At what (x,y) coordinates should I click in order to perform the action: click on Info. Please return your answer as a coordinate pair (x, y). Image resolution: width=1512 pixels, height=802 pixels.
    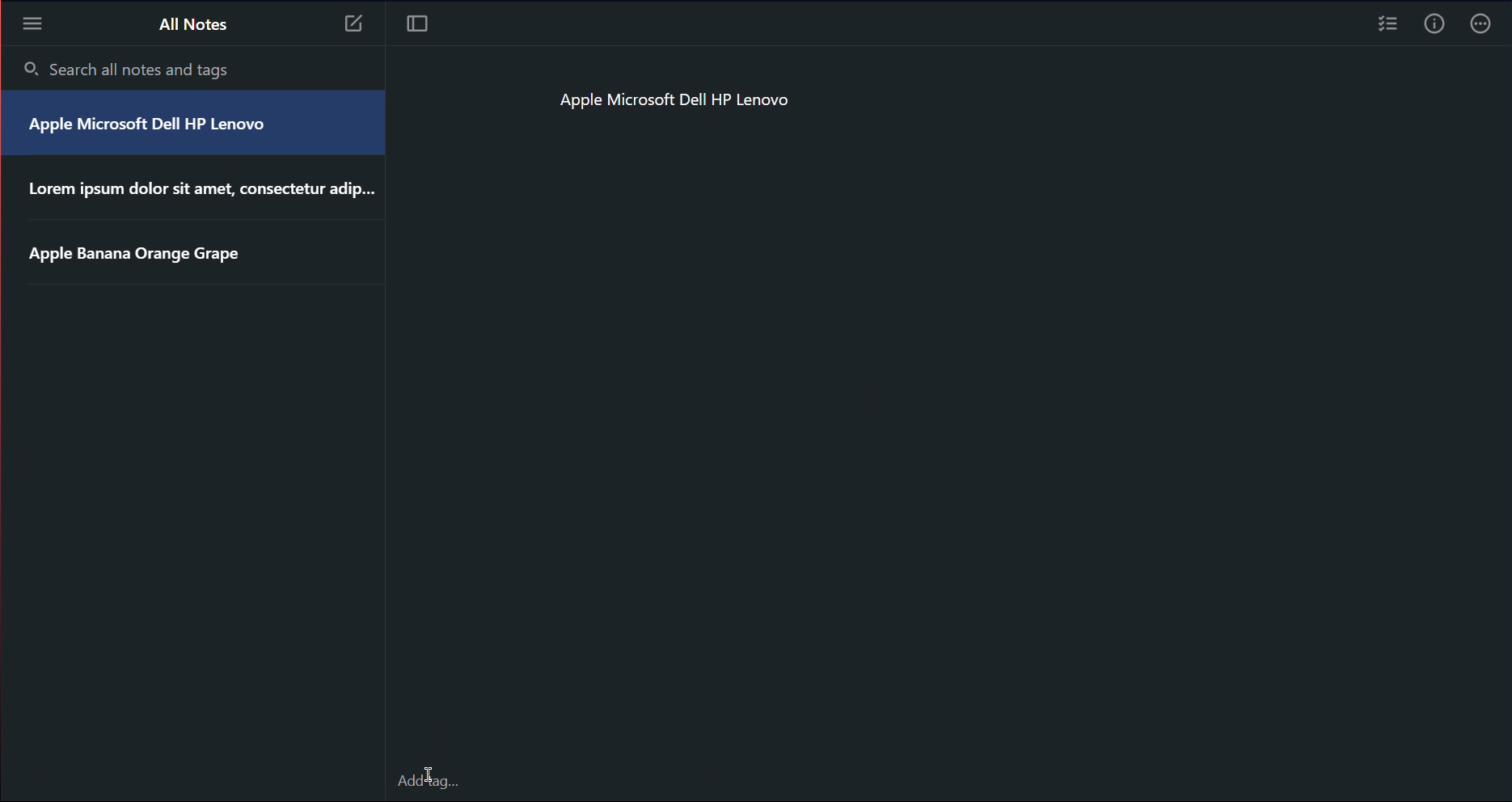
    Looking at the image, I should click on (1433, 27).